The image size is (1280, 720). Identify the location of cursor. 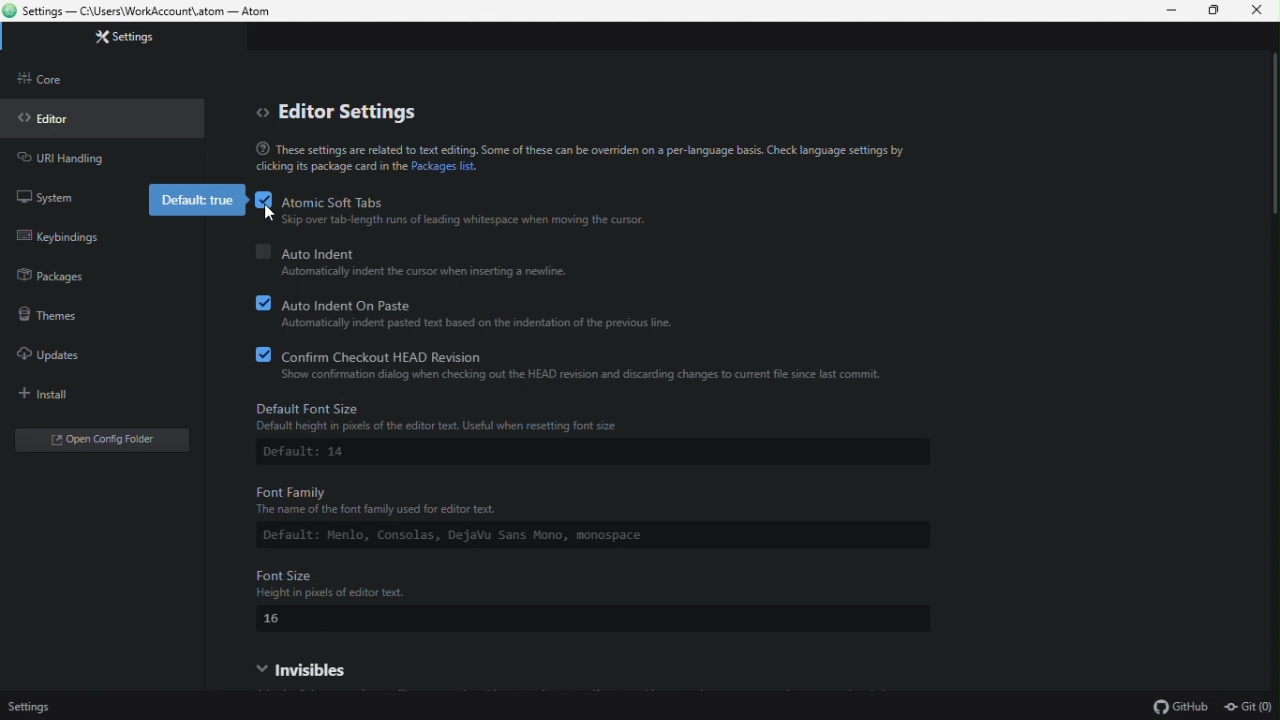
(272, 213).